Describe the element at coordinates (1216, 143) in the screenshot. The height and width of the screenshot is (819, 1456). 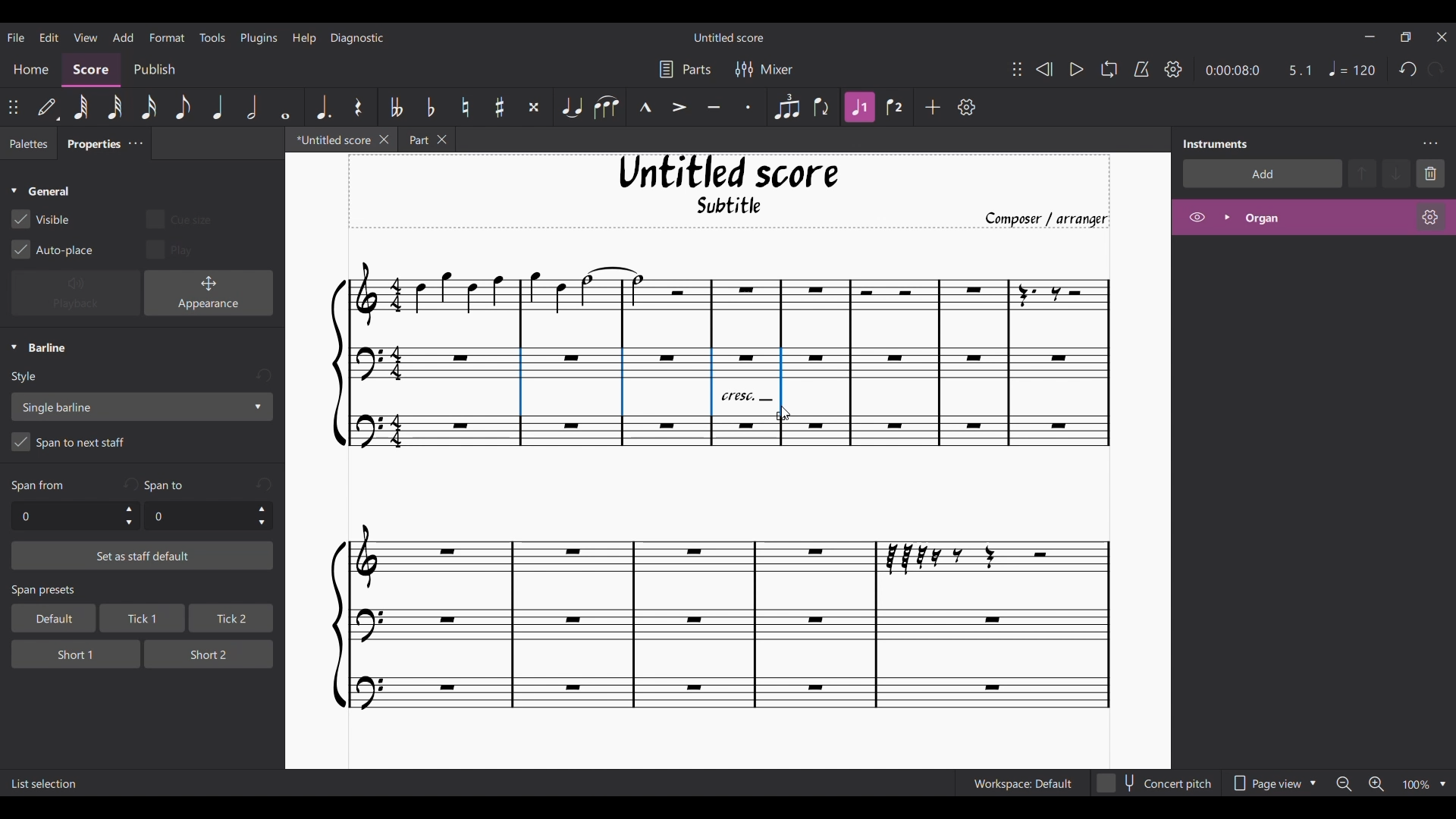
I see `Panel title` at that location.